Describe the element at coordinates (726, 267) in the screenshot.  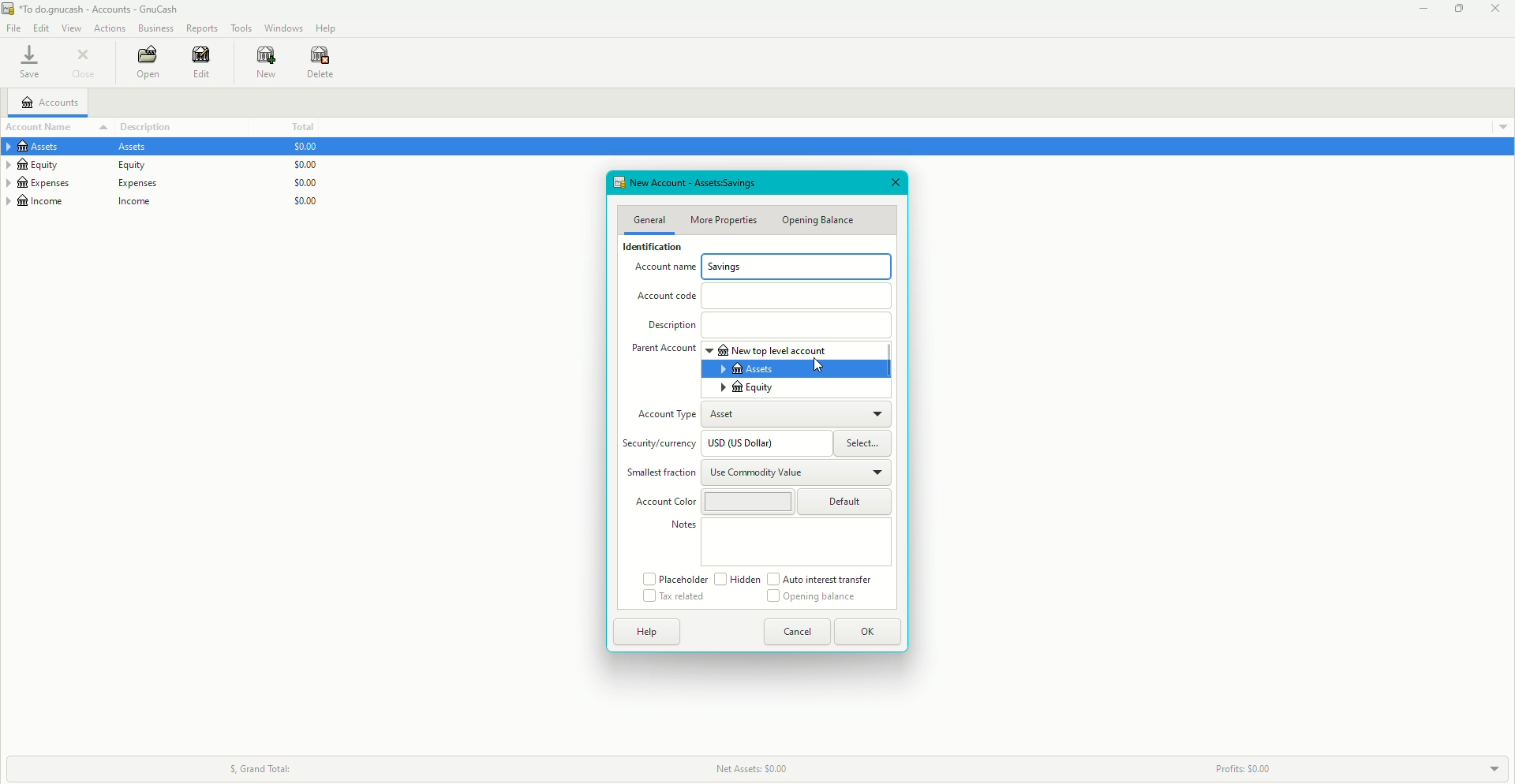
I see `Savings` at that location.